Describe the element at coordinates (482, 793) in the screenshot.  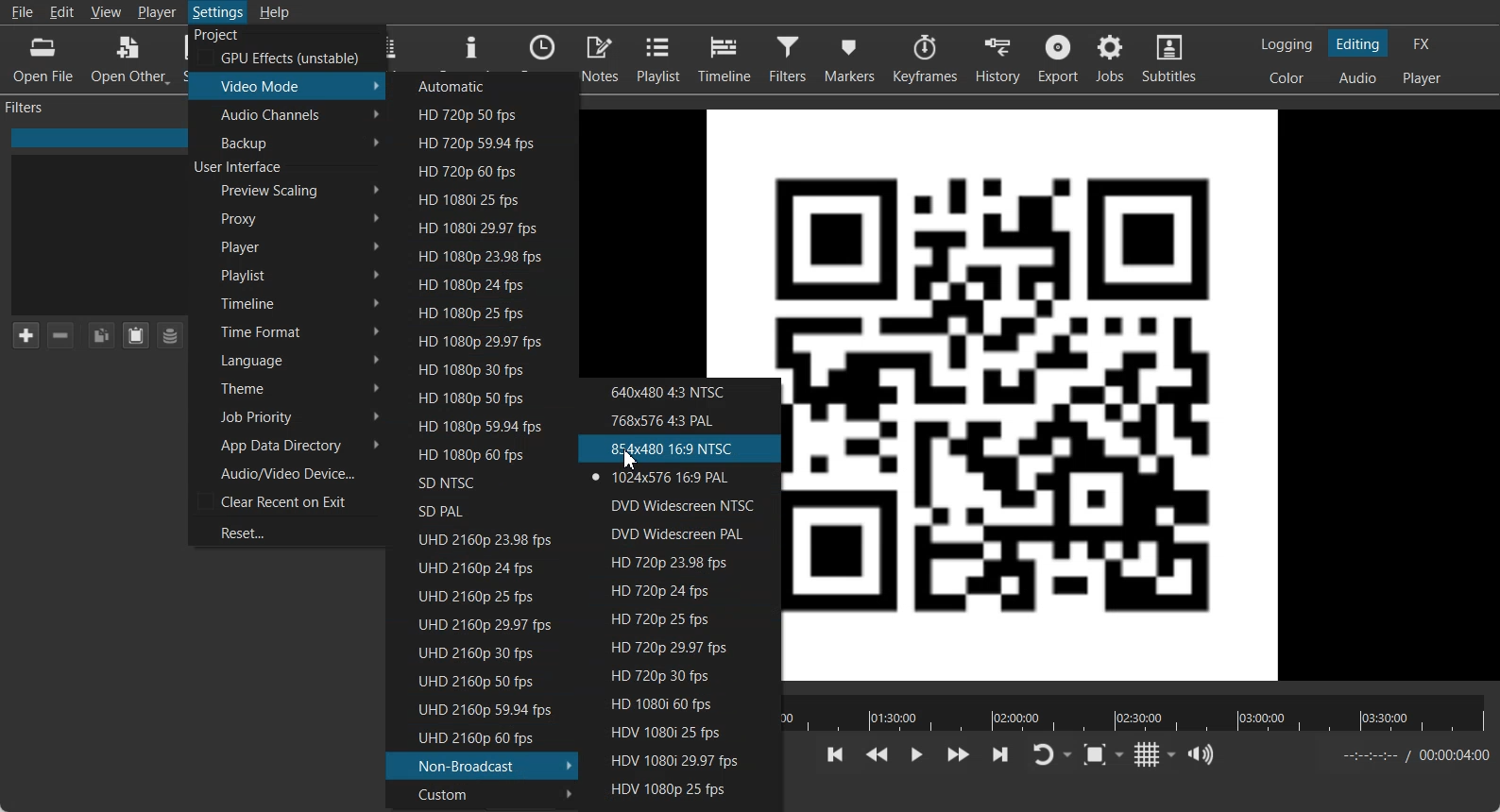
I see `Custom` at that location.